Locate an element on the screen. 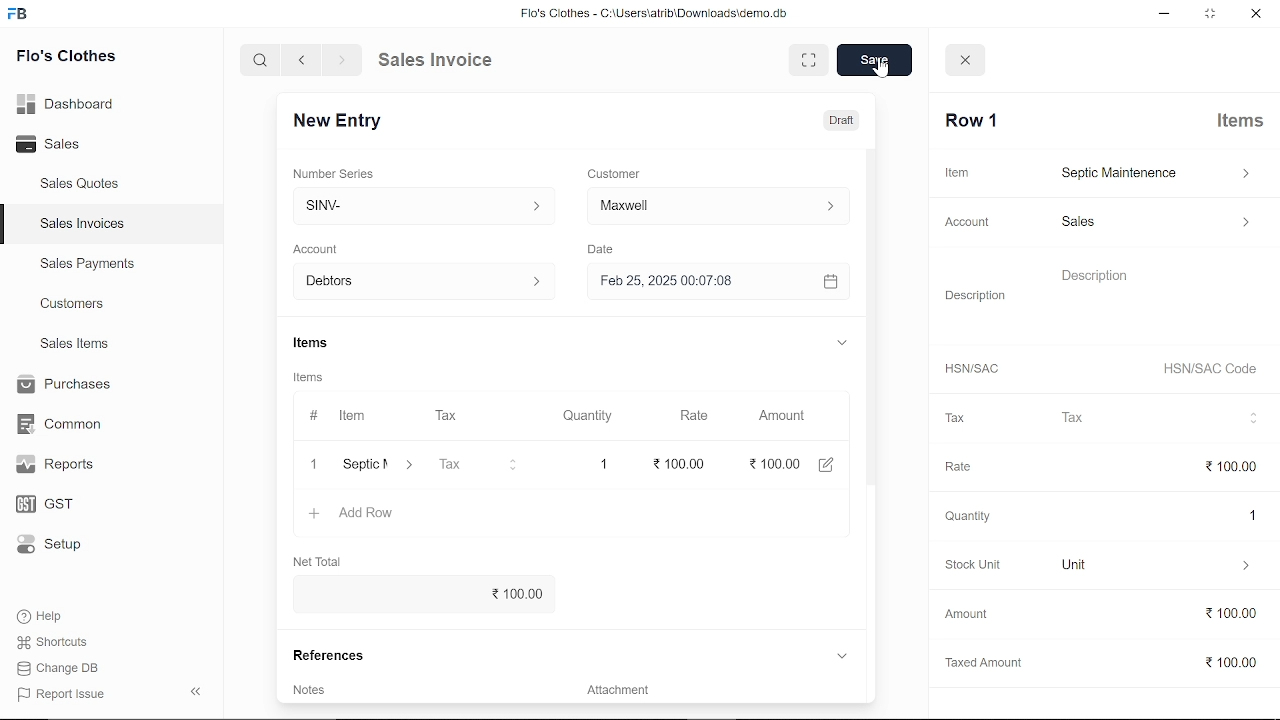 The width and height of the screenshot is (1280, 720). frappe books logo is located at coordinates (20, 17).